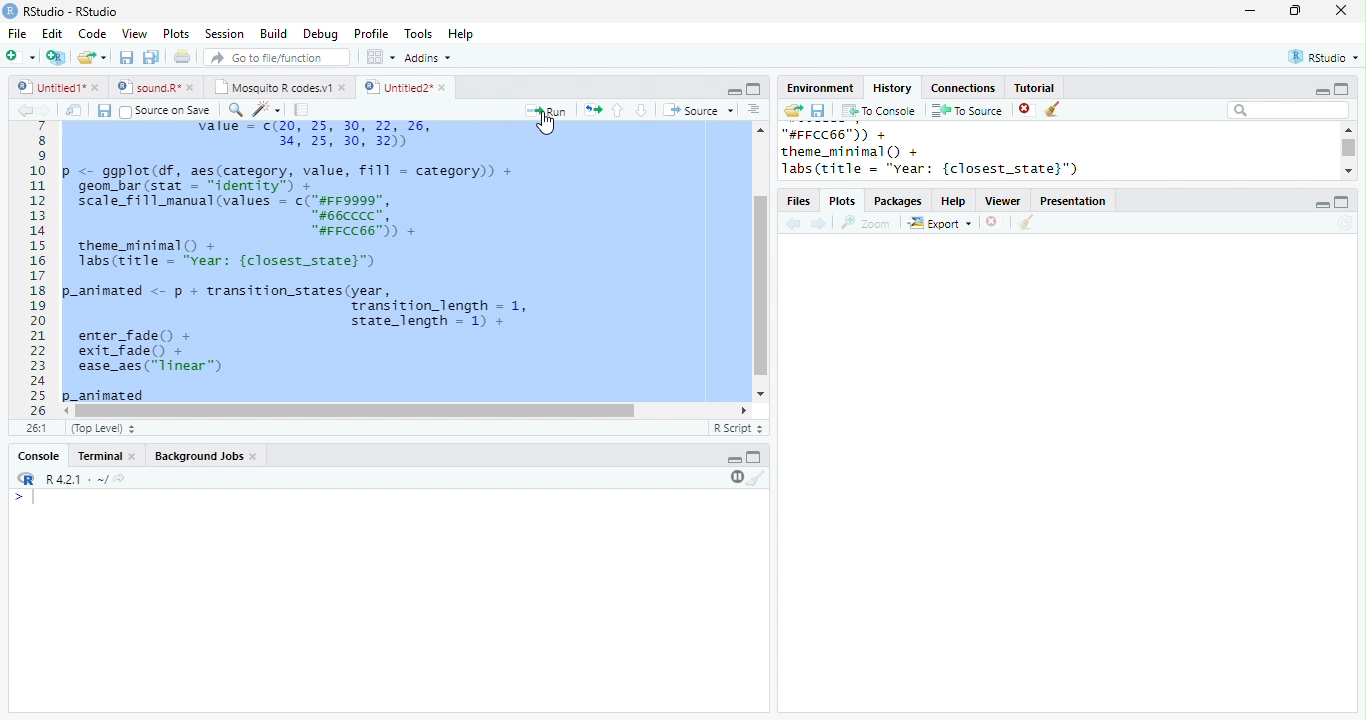  What do you see at coordinates (198, 456) in the screenshot?
I see `Background Jobs` at bounding box center [198, 456].